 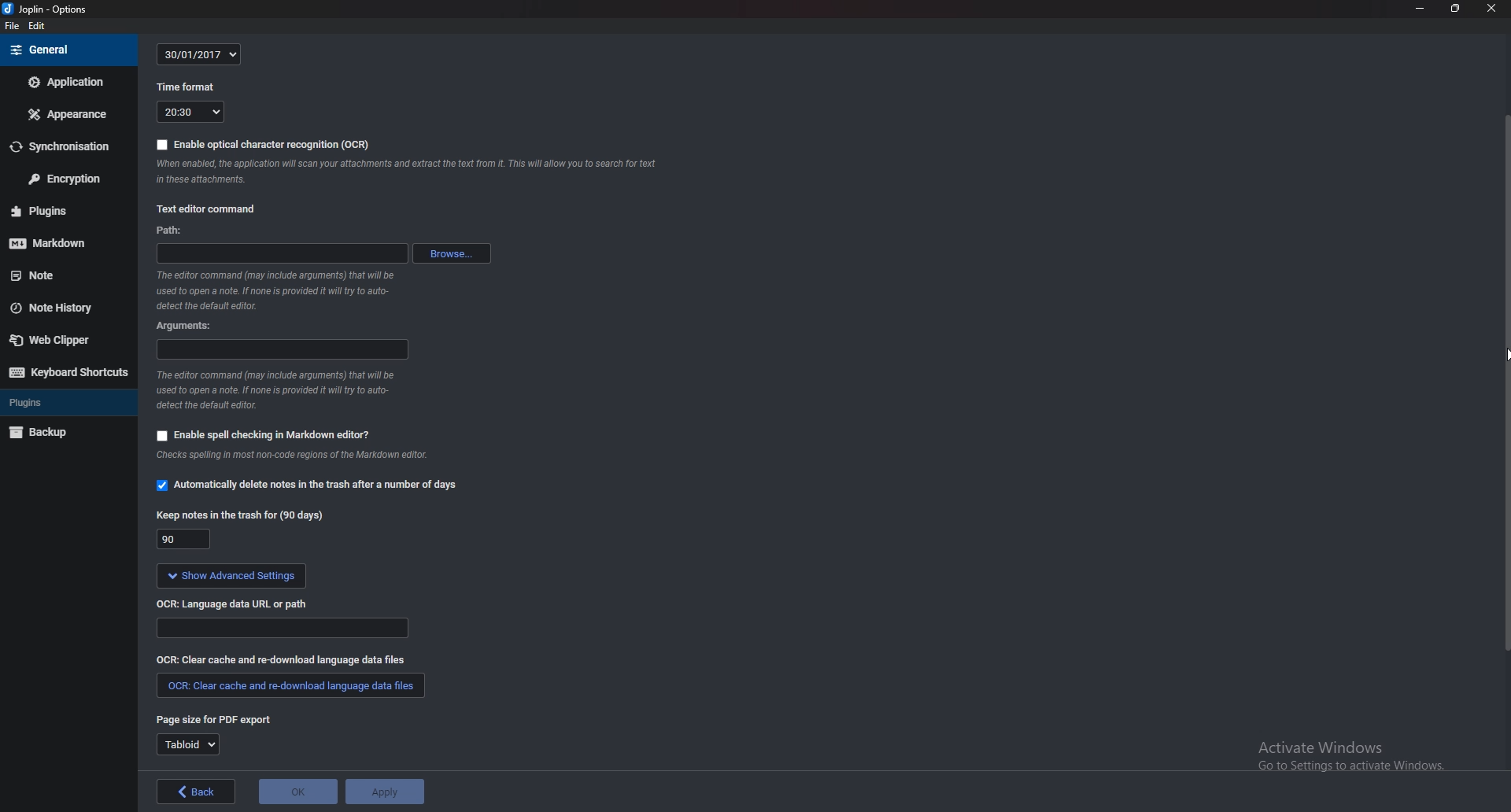 What do you see at coordinates (286, 291) in the screenshot?
I see `info` at bounding box center [286, 291].